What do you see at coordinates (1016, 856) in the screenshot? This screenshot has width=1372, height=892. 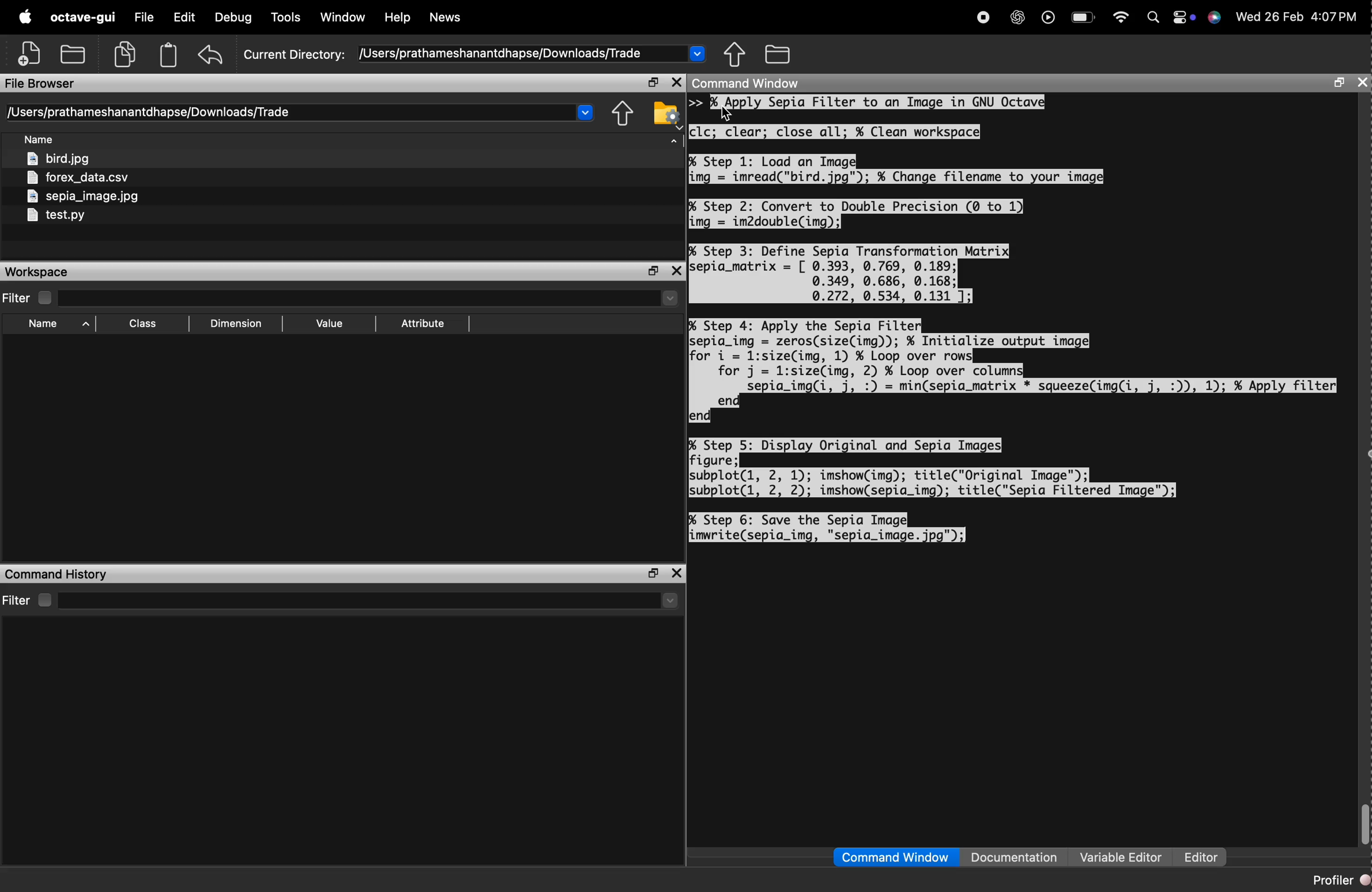 I see `Documentation ` at bounding box center [1016, 856].